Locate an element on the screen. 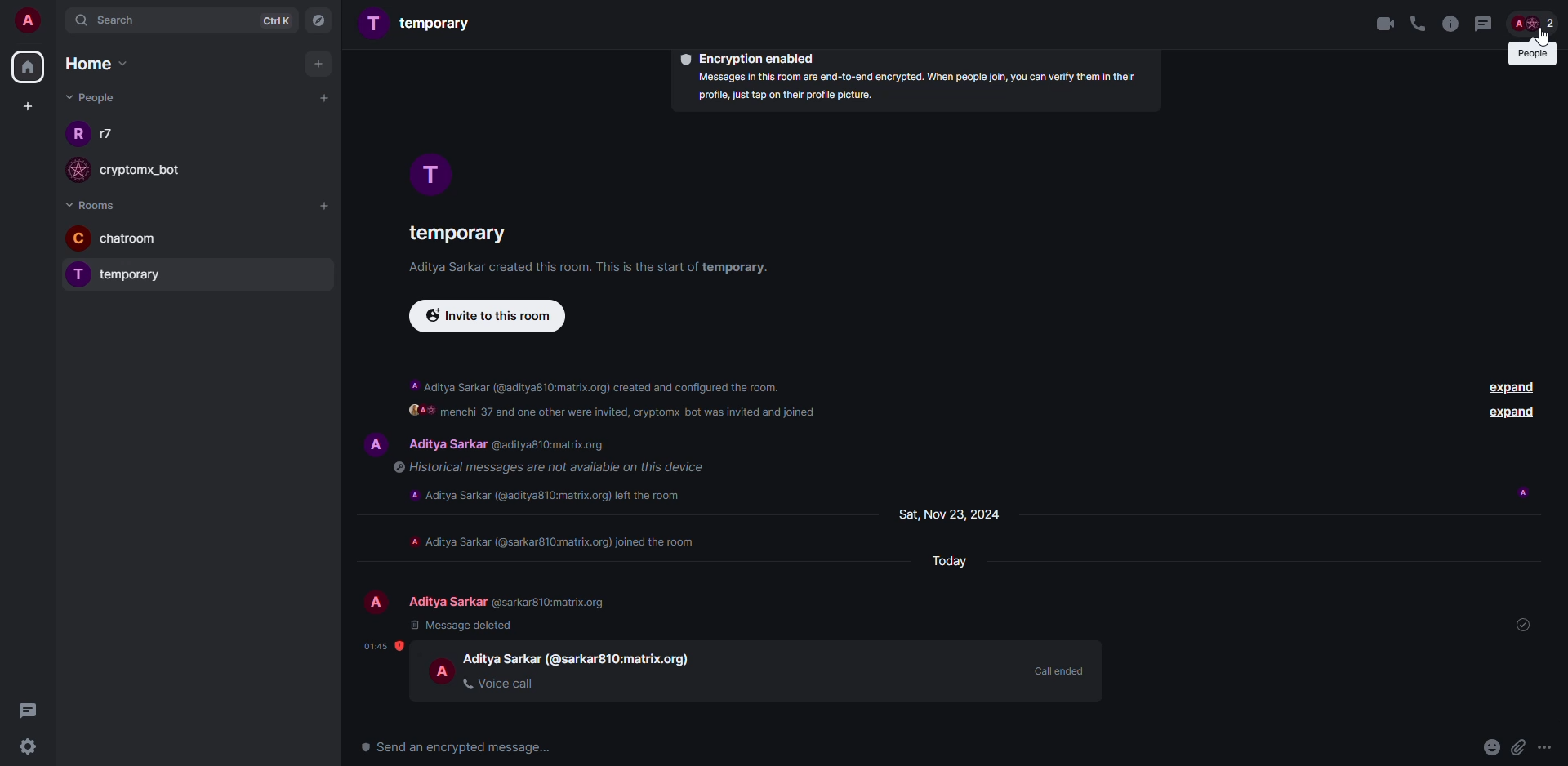 This screenshot has height=766, width=1568. info is located at coordinates (596, 383).